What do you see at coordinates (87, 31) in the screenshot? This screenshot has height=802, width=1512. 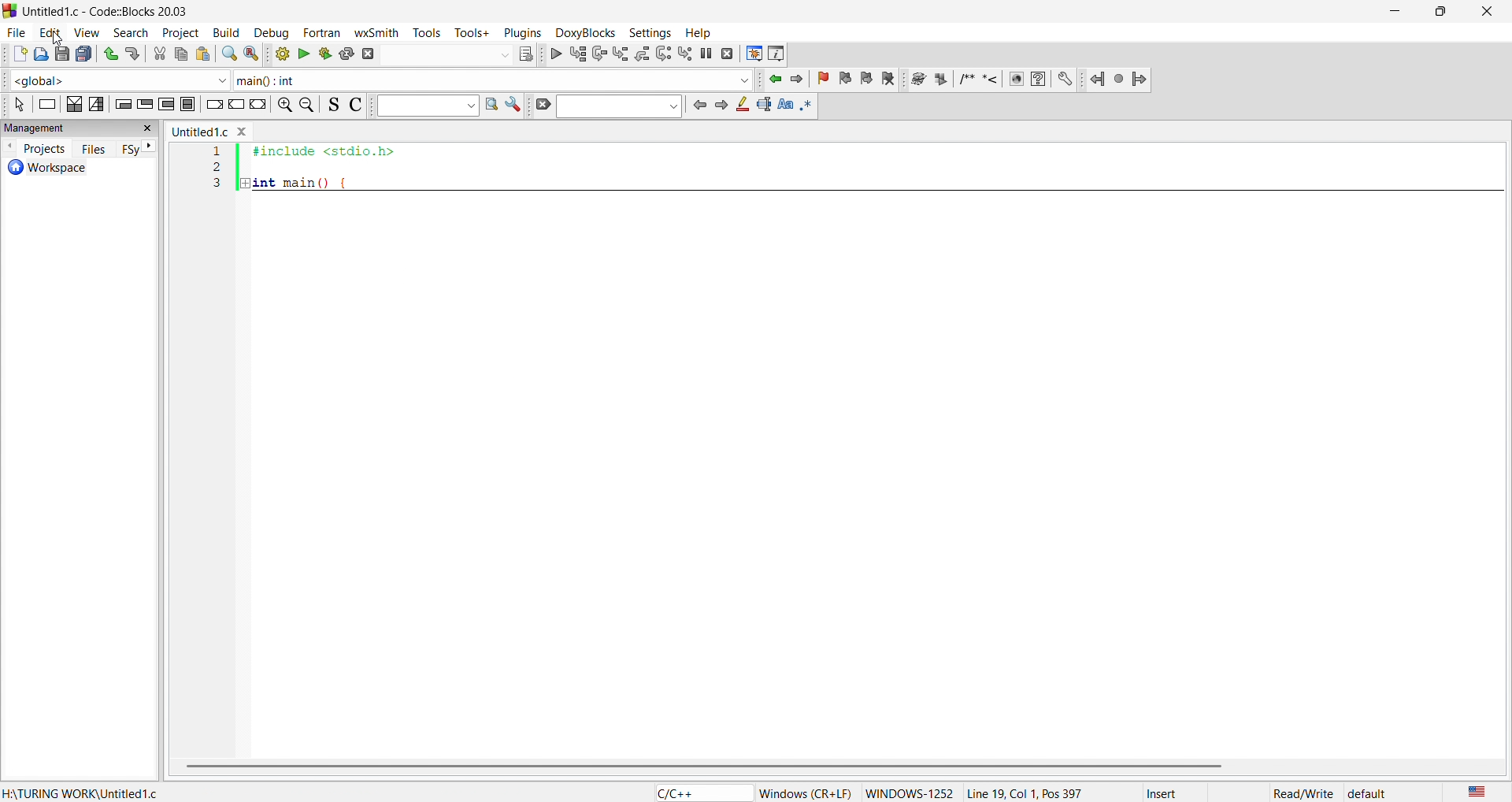 I see `view` at bounding box center [87, 31].